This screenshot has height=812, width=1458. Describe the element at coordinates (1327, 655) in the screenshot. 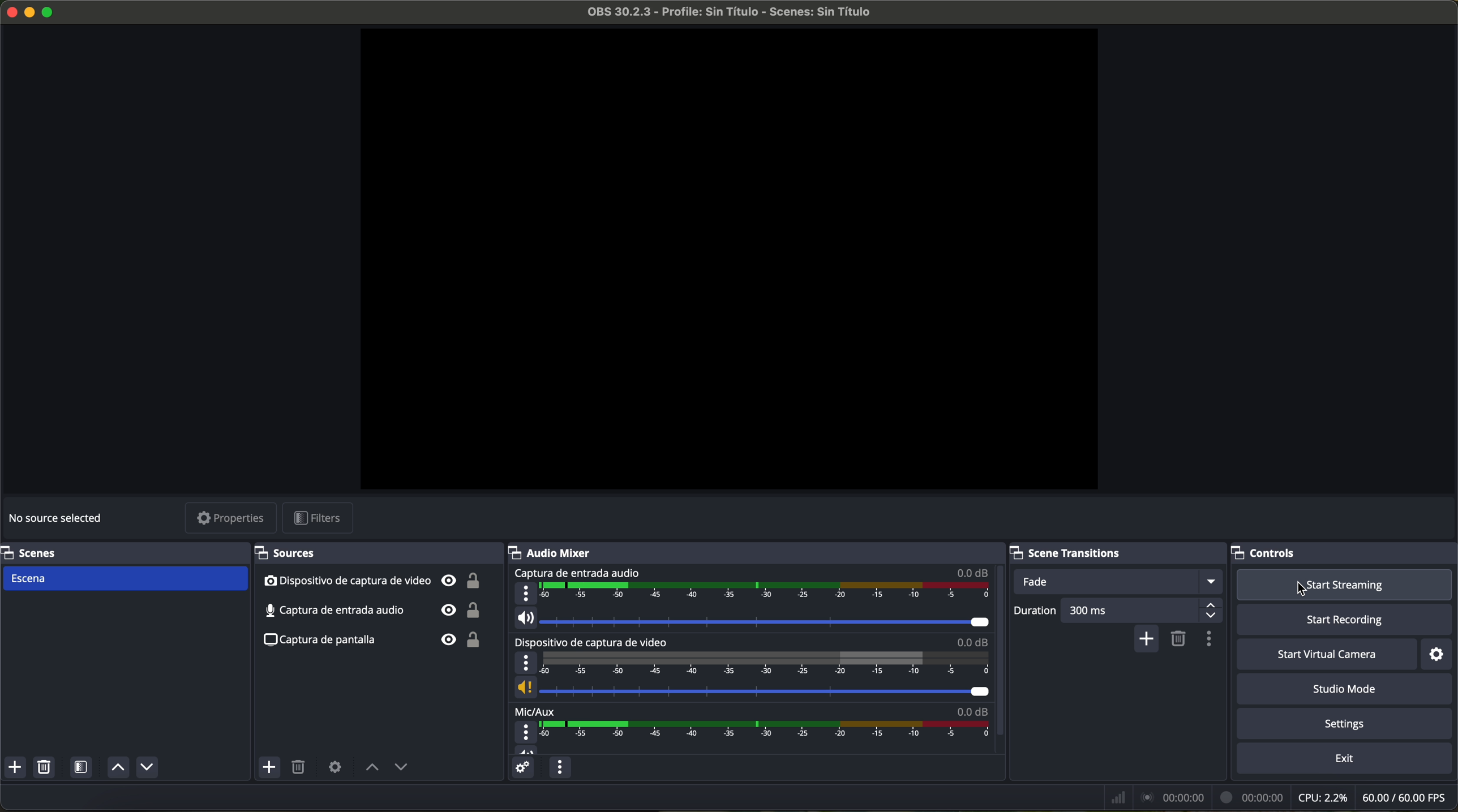

I see `start virtual camera` at that location.